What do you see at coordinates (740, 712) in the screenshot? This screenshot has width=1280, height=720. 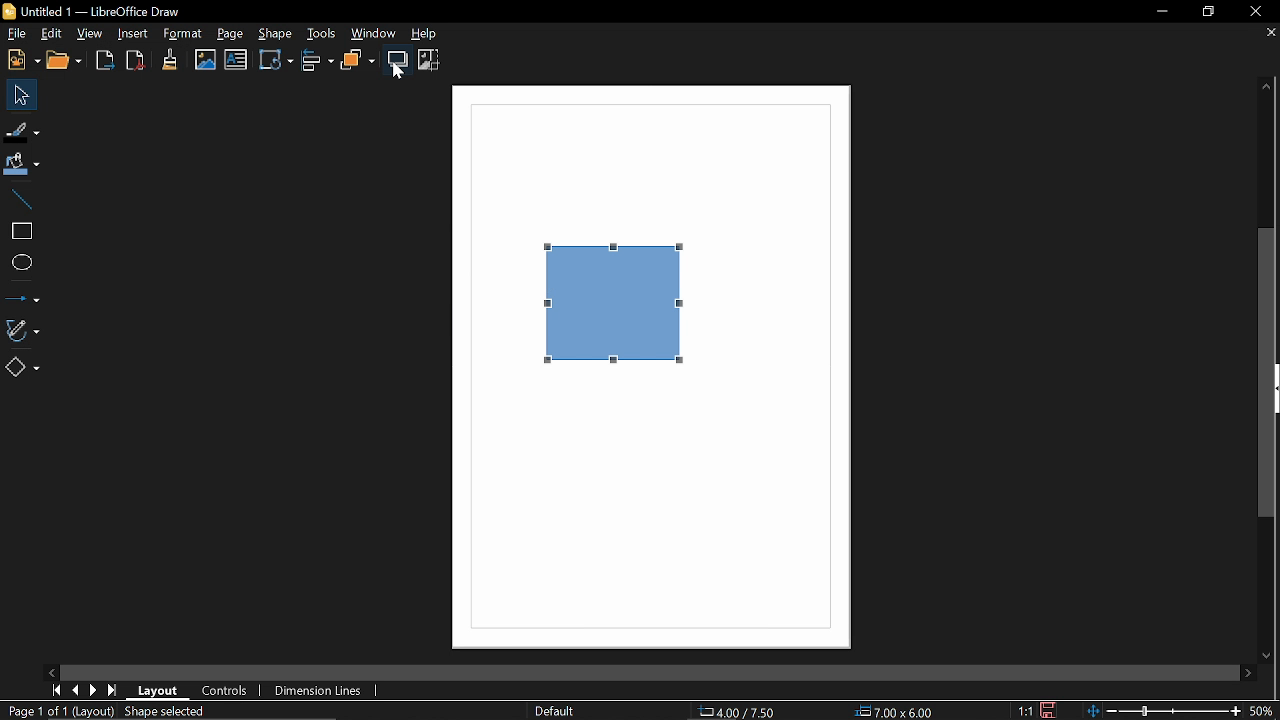 I see `Position` at bounding box center [740, 712].